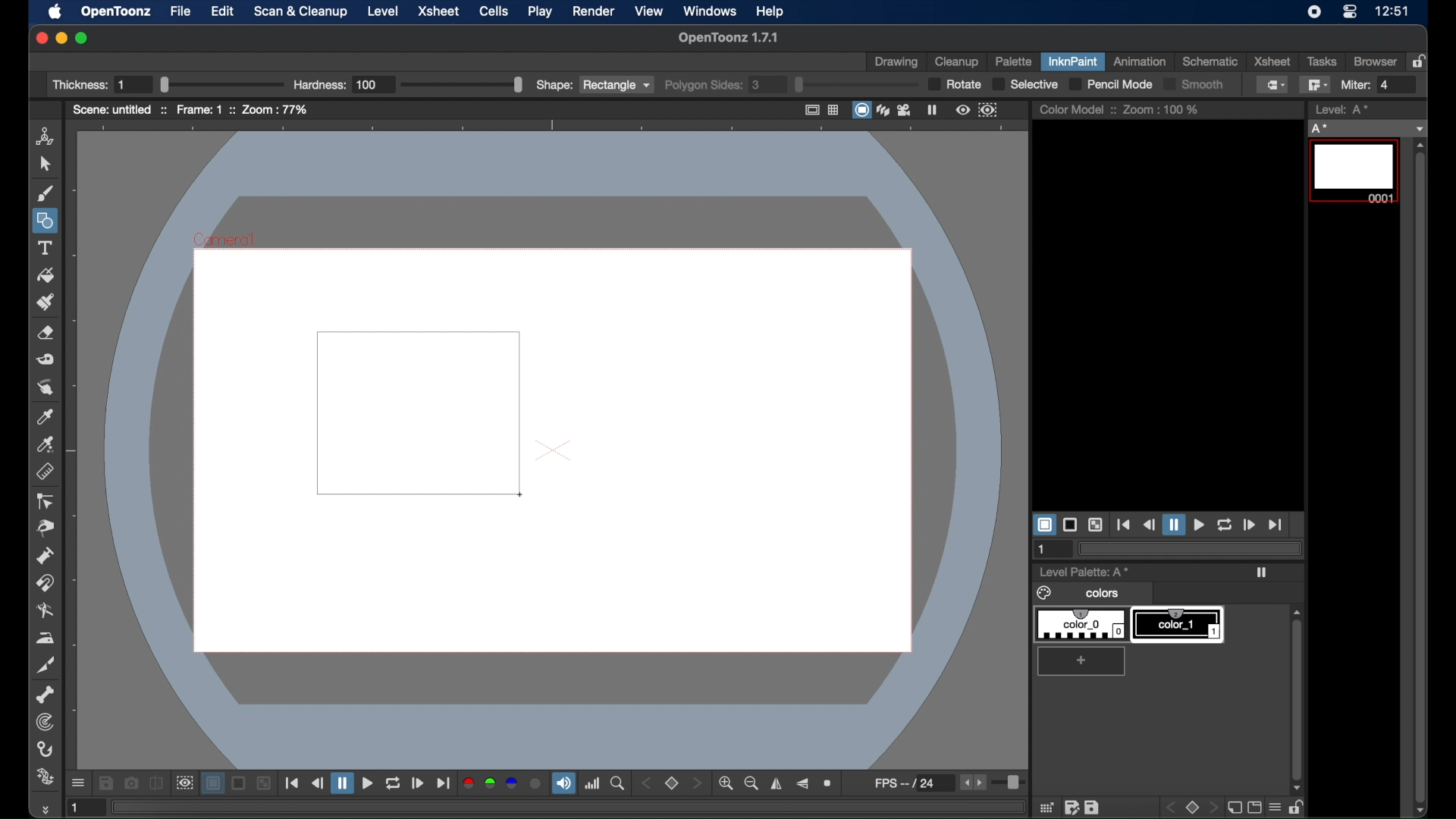 The width and height of the screenshot is (1456, 819). I want to click on slider, so click(1011, 784).